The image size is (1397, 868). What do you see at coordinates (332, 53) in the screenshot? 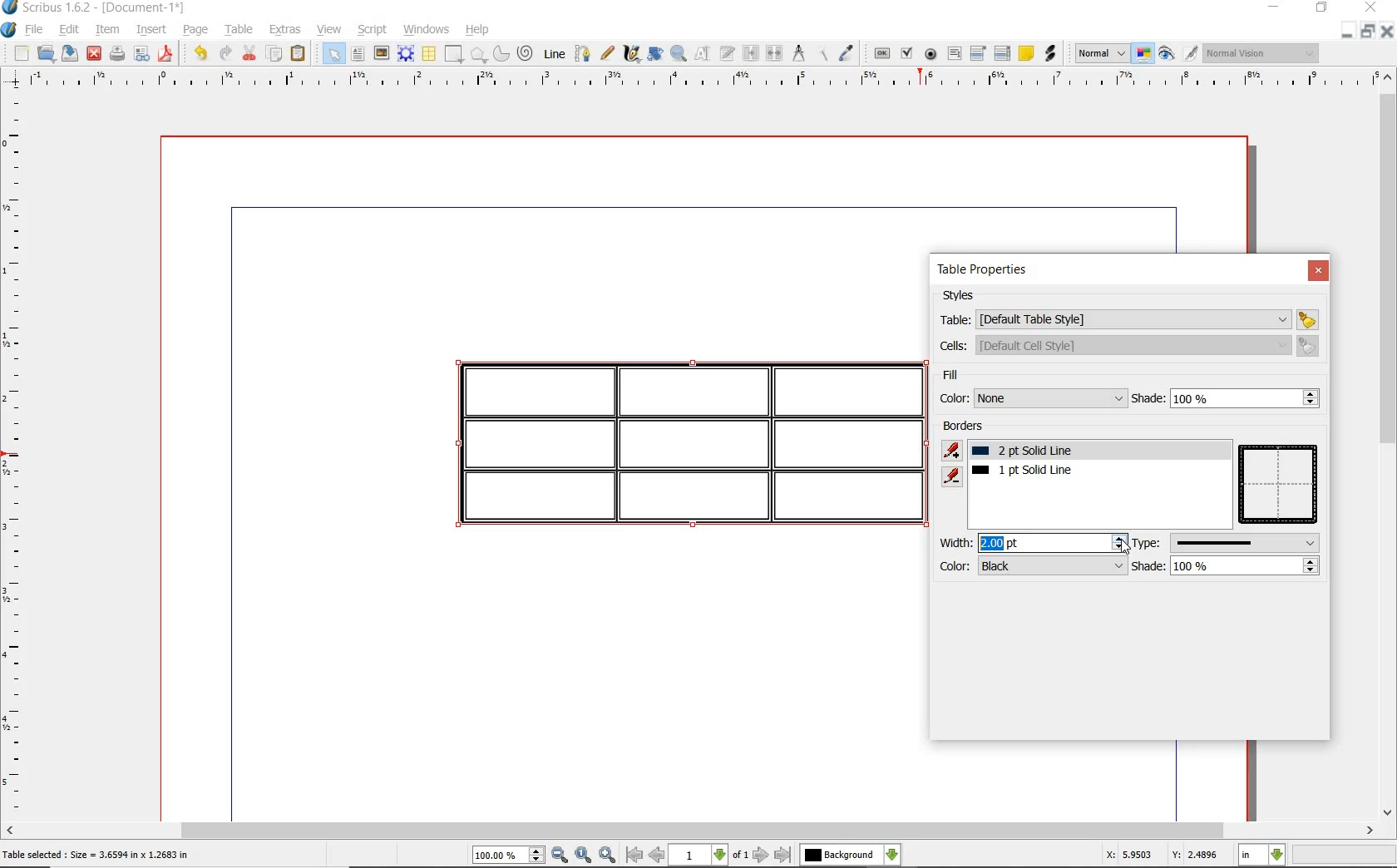
I see `select item` at bounding box center [332, 53].